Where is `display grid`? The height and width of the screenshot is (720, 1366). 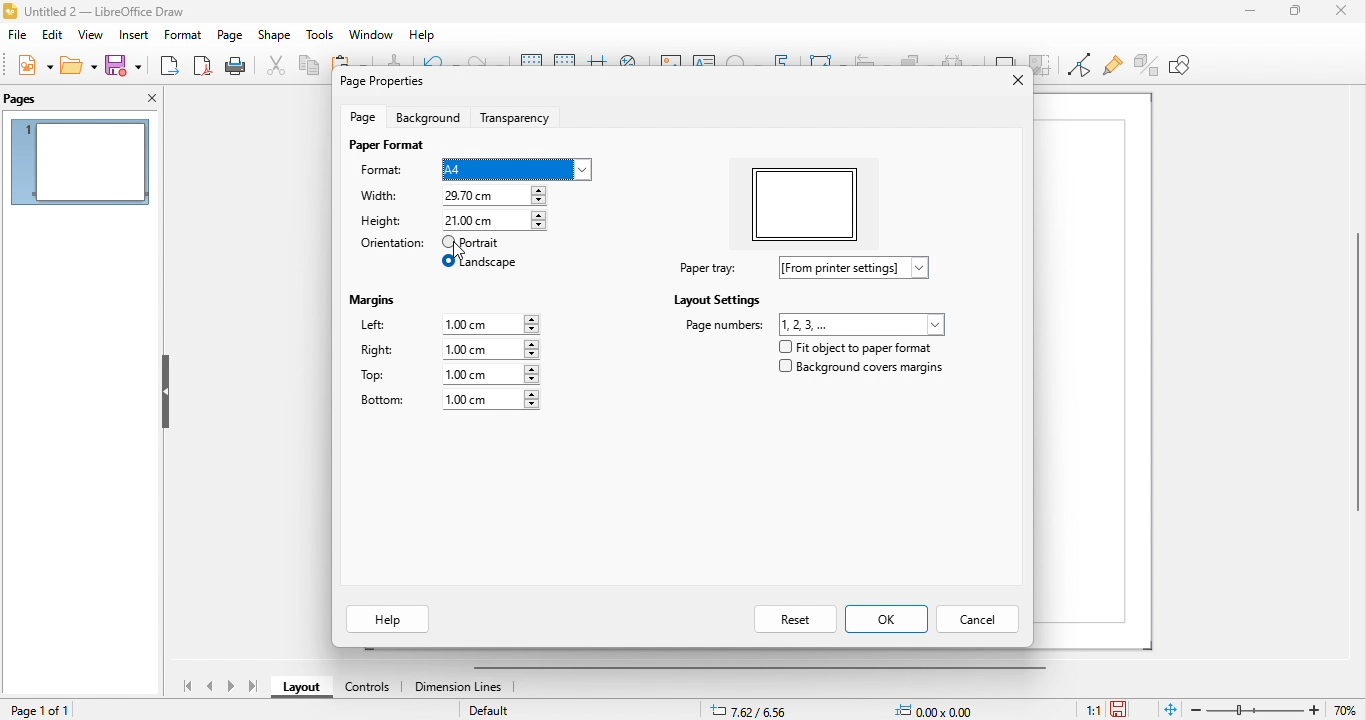 display grid is located at coordinates (529, 62).